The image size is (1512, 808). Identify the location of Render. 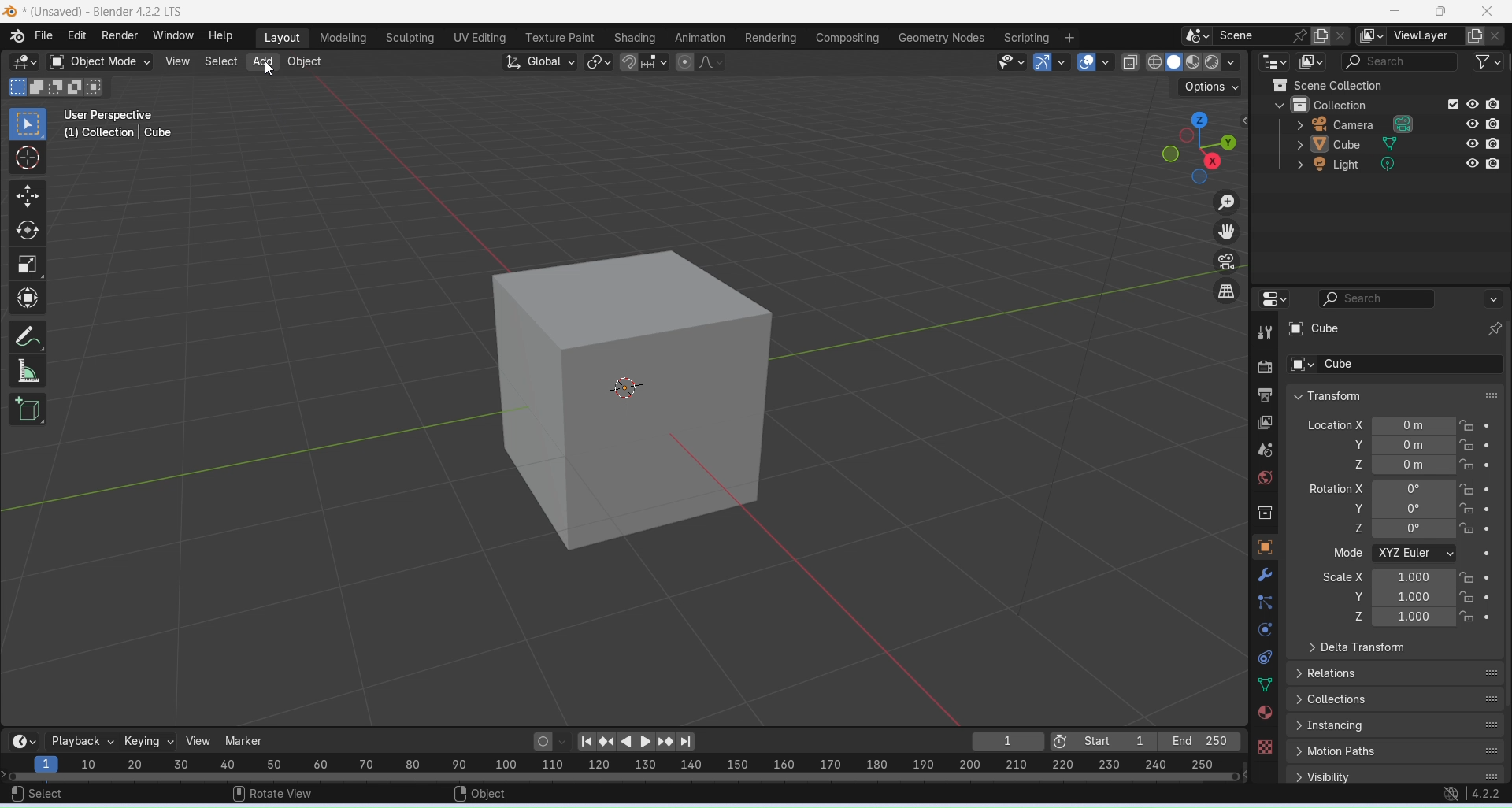
(1262, 367).